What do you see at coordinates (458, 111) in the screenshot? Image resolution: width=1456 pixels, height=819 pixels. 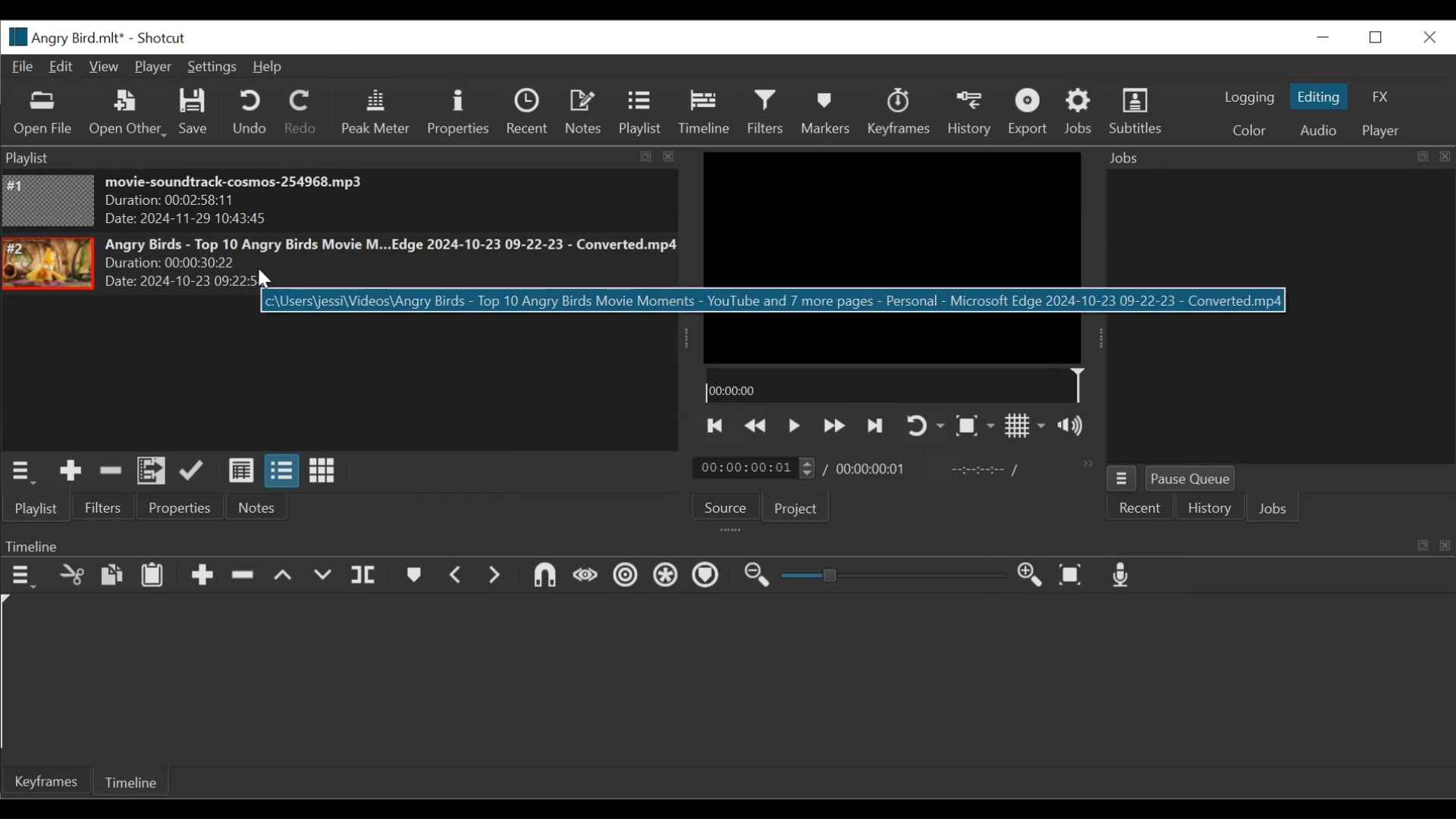 I see `Properties` at bounding box center [458, 111].